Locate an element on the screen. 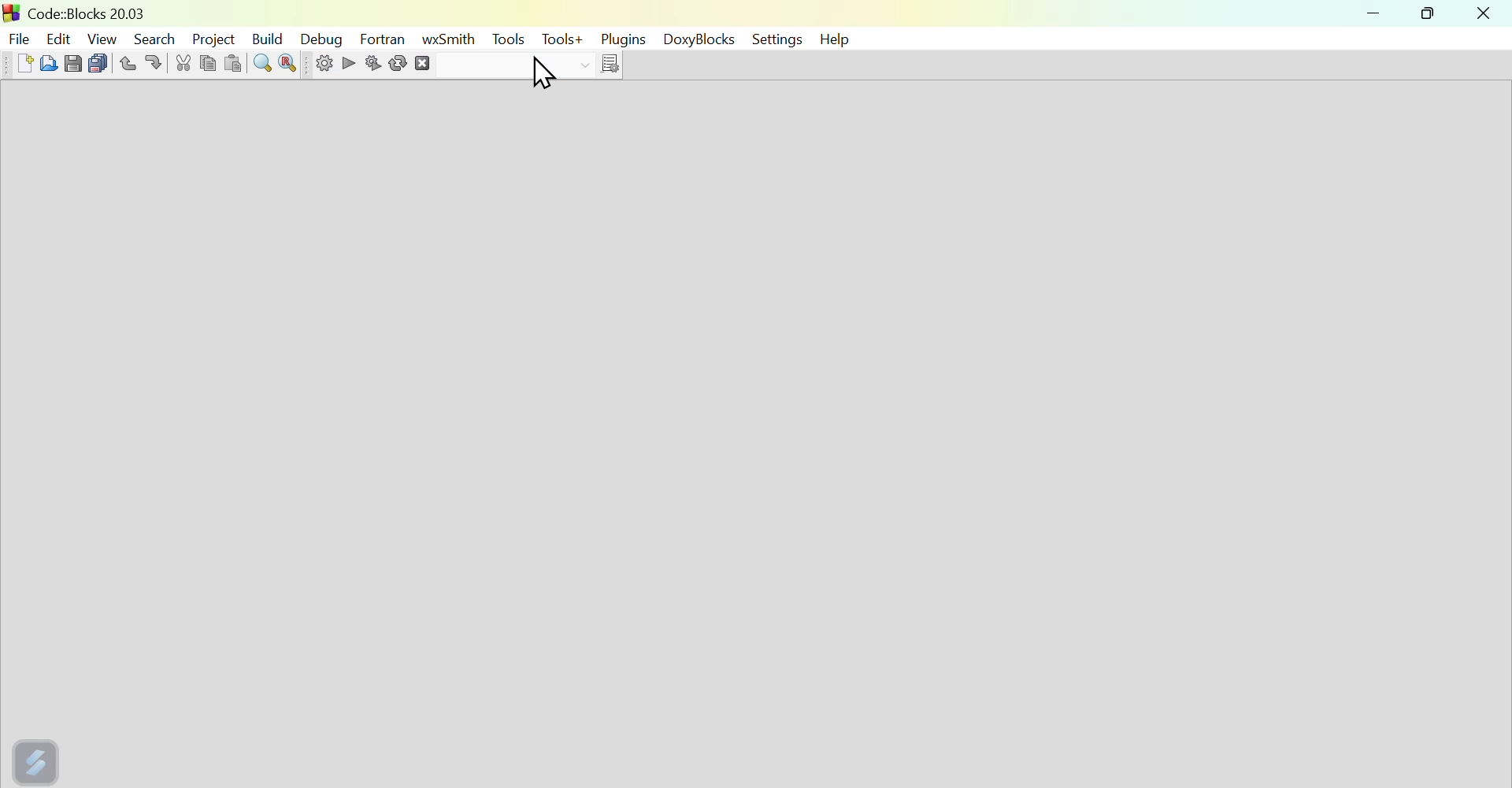  Settings is located at coordinates (317, 66).